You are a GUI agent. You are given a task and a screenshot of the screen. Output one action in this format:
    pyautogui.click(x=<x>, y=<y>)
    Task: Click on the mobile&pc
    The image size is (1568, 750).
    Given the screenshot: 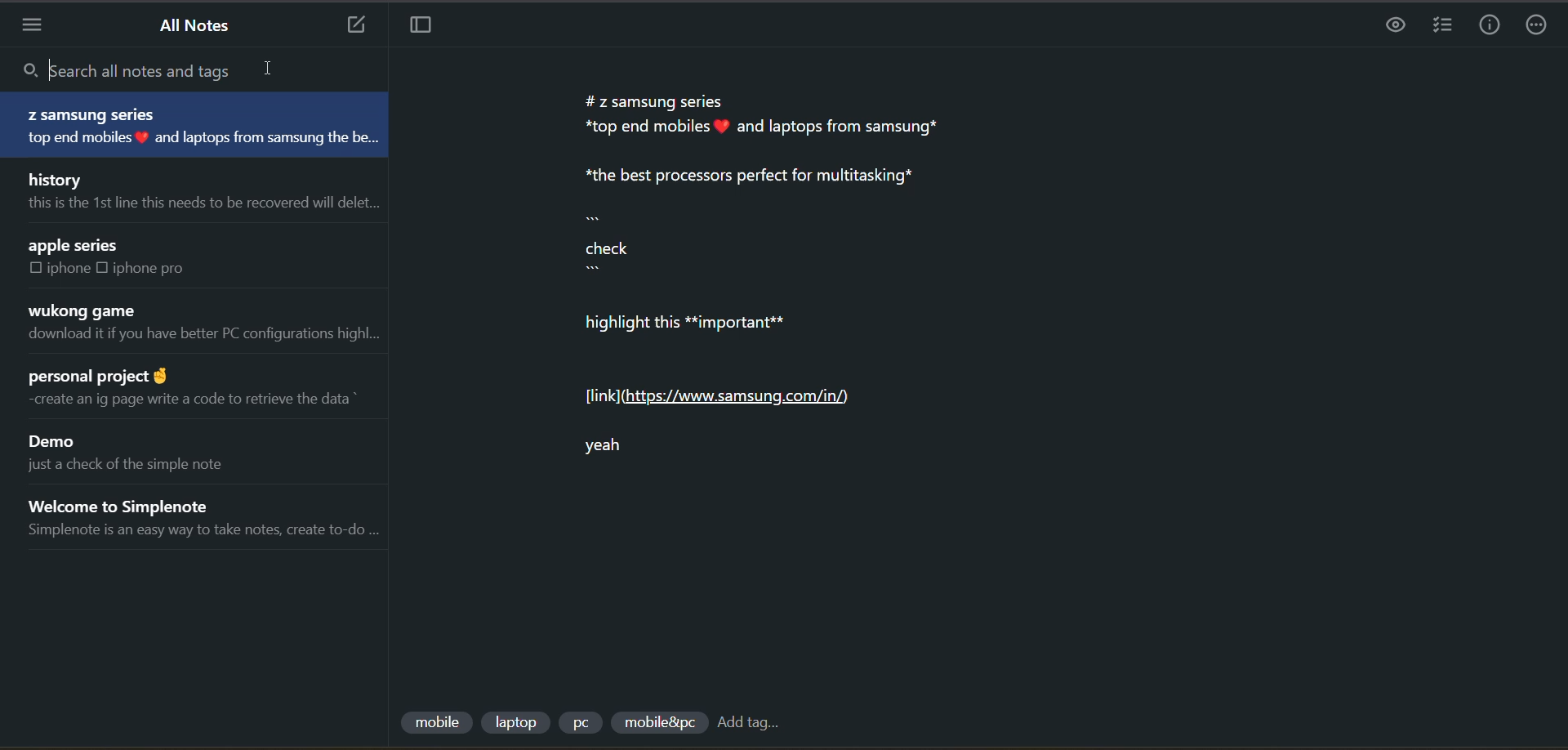 What is the action you would take?
    pyautogui.click(x=656, y=723)
    